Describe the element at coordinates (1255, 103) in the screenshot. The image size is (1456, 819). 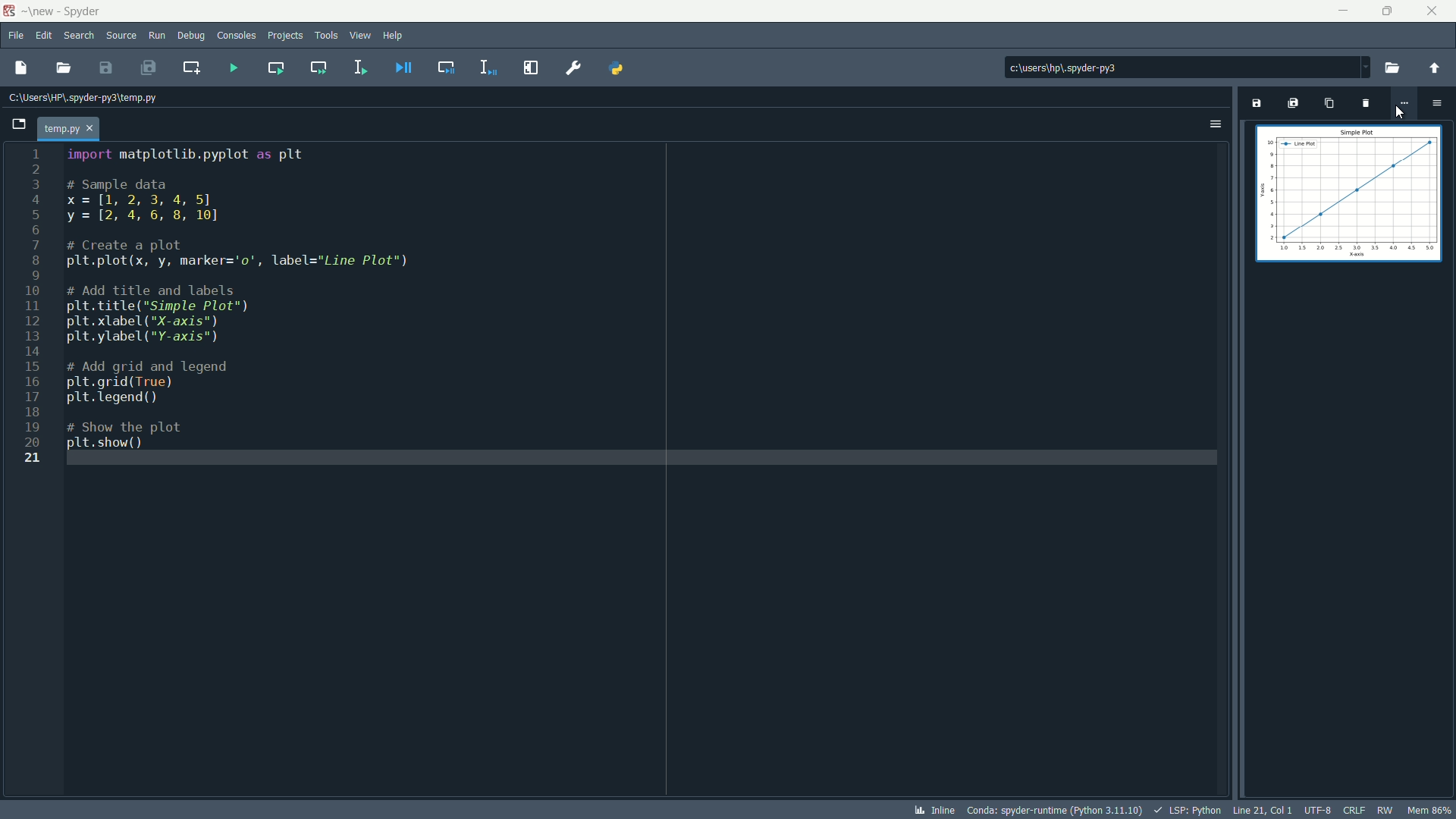
I see `save plot as` at that location.